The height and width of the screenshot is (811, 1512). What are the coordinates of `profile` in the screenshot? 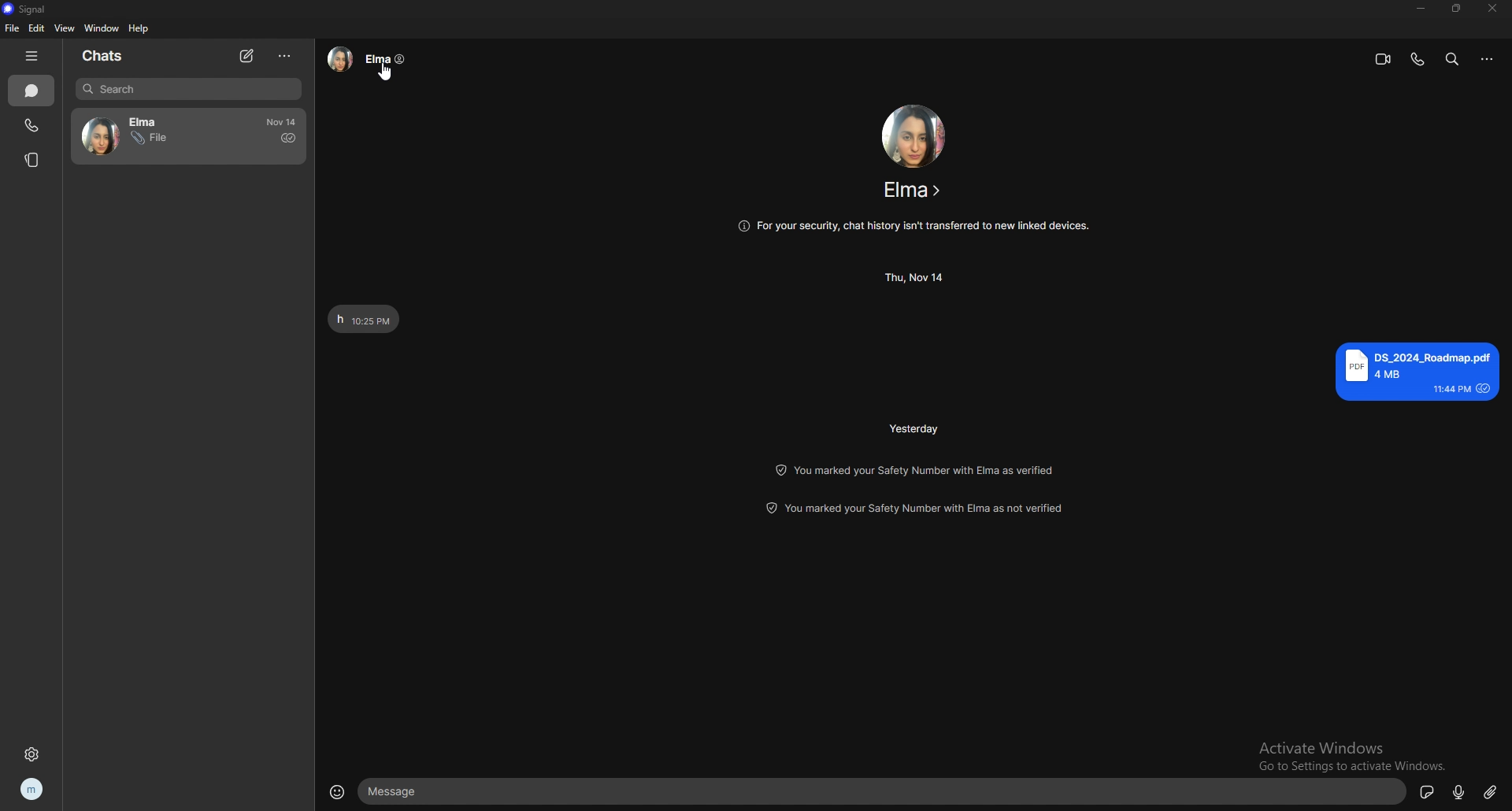 It's located at (35, 789).